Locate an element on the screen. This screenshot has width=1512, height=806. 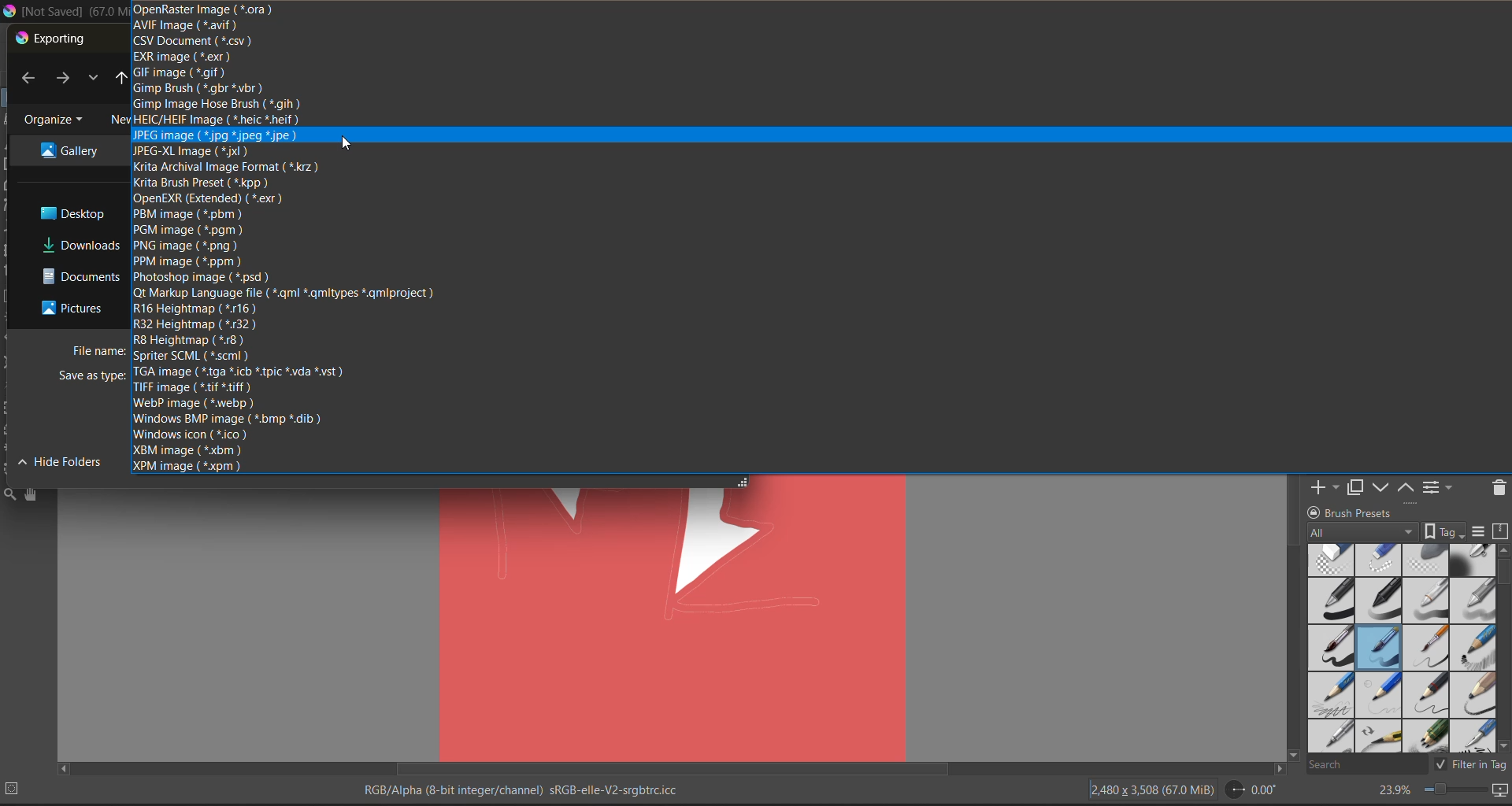
jpeg image is located at coordinates (232, 135).